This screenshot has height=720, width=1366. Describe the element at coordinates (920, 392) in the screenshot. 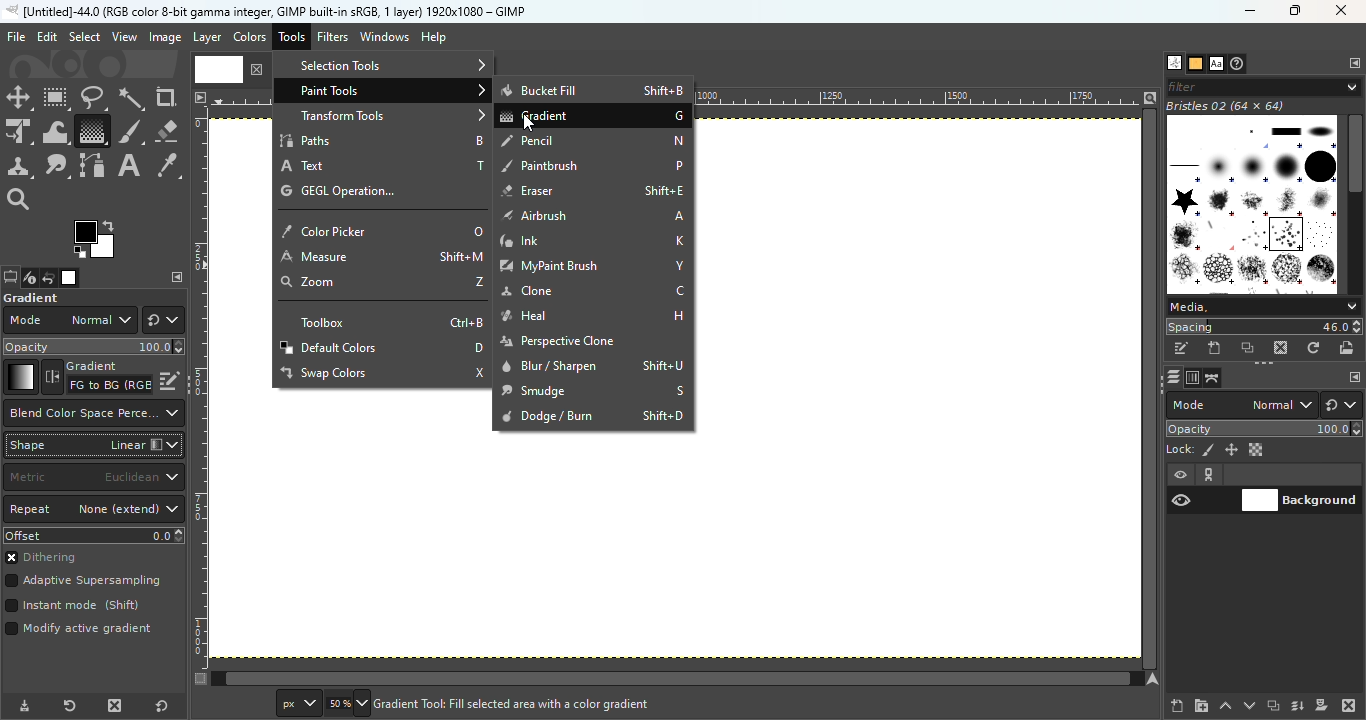

I see `Canvas` at that location.